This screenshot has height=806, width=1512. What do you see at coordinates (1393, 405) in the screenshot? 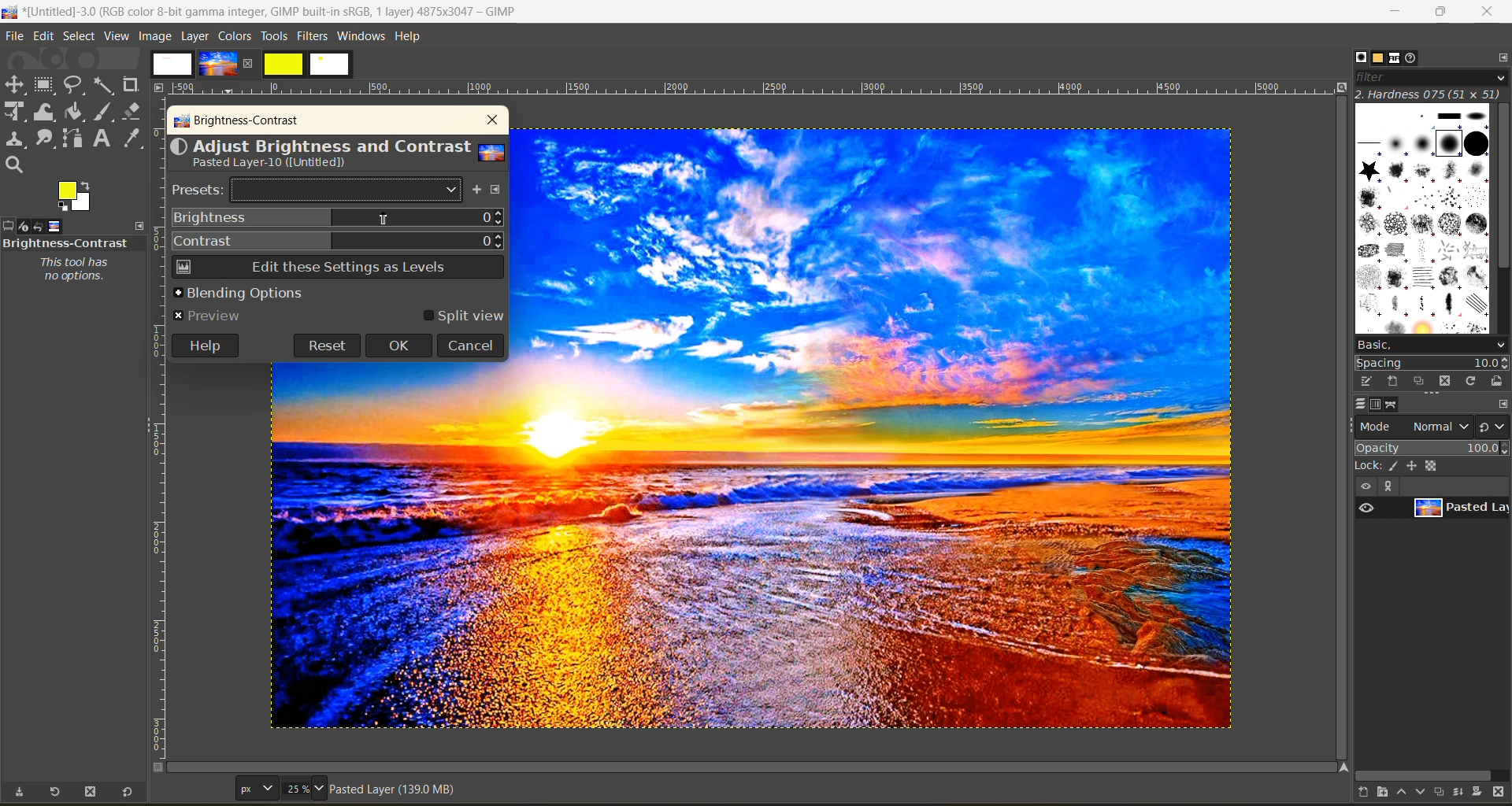
I see `paths` at bounding box center [1393, 405].